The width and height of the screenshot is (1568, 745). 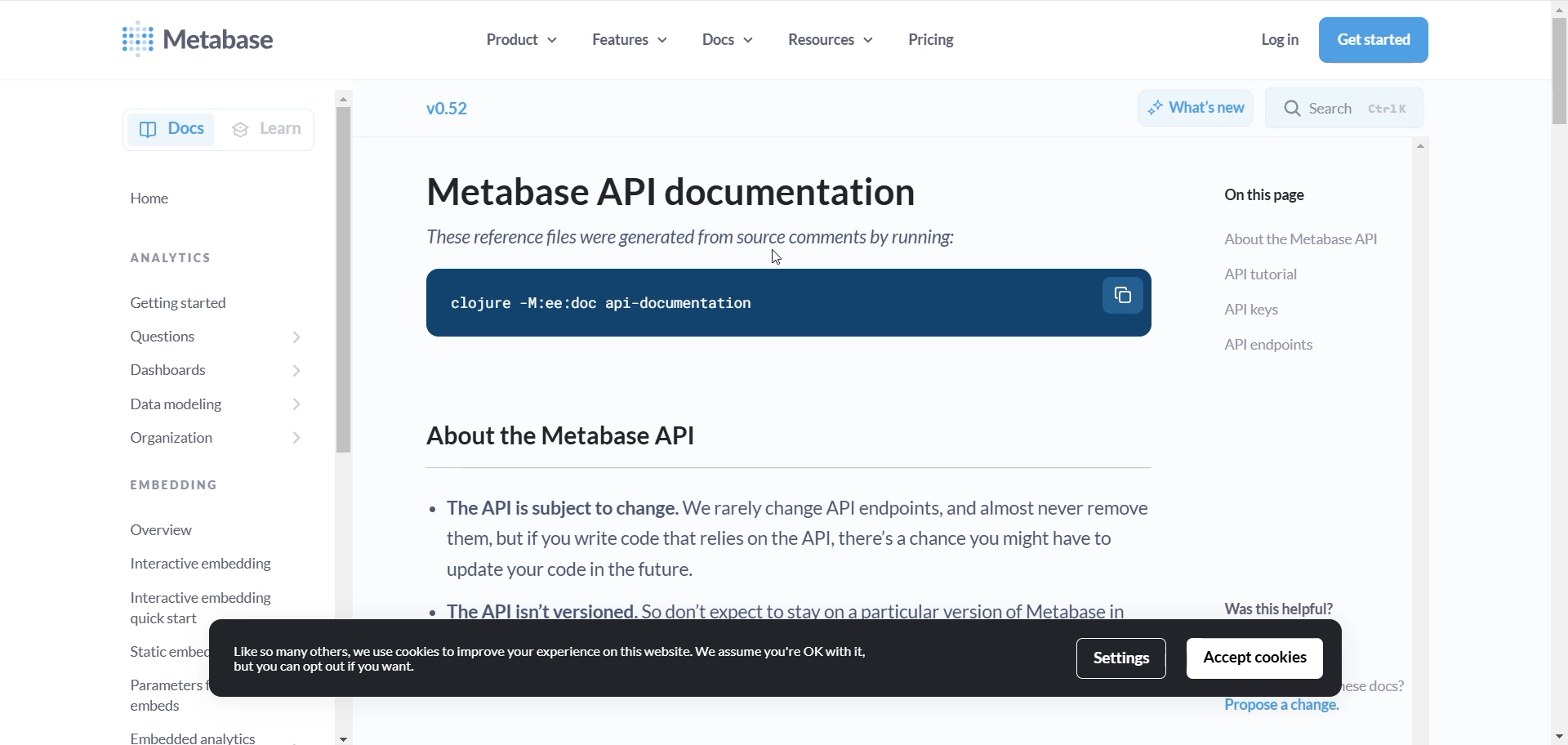 What do you see at coordinates (193, 435) in the screenshot?
I see `organization` at bounding box center [193, 435].